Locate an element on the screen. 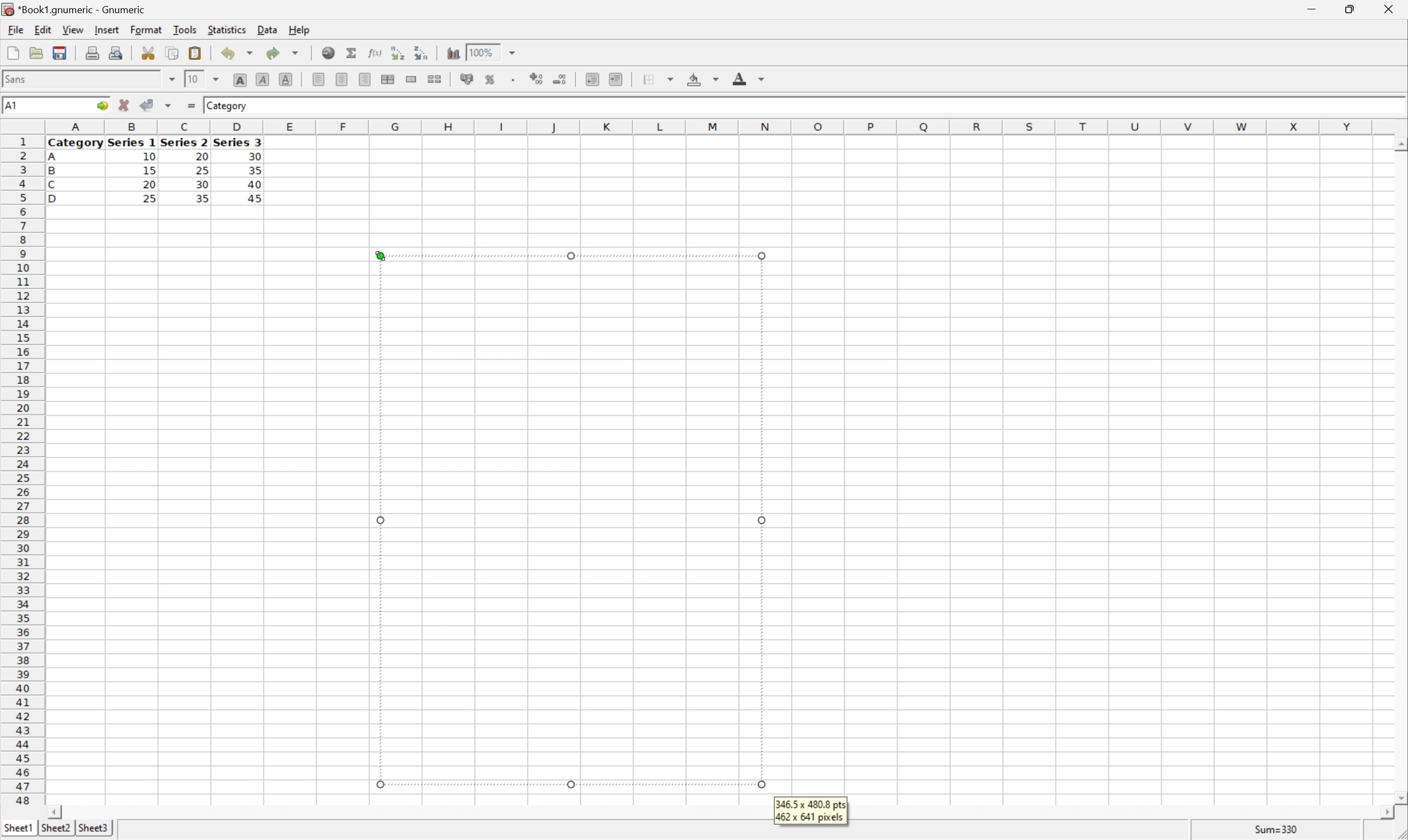 The image size is (1408, 840). Chart Dimensions is located at coordinates (810, 811).